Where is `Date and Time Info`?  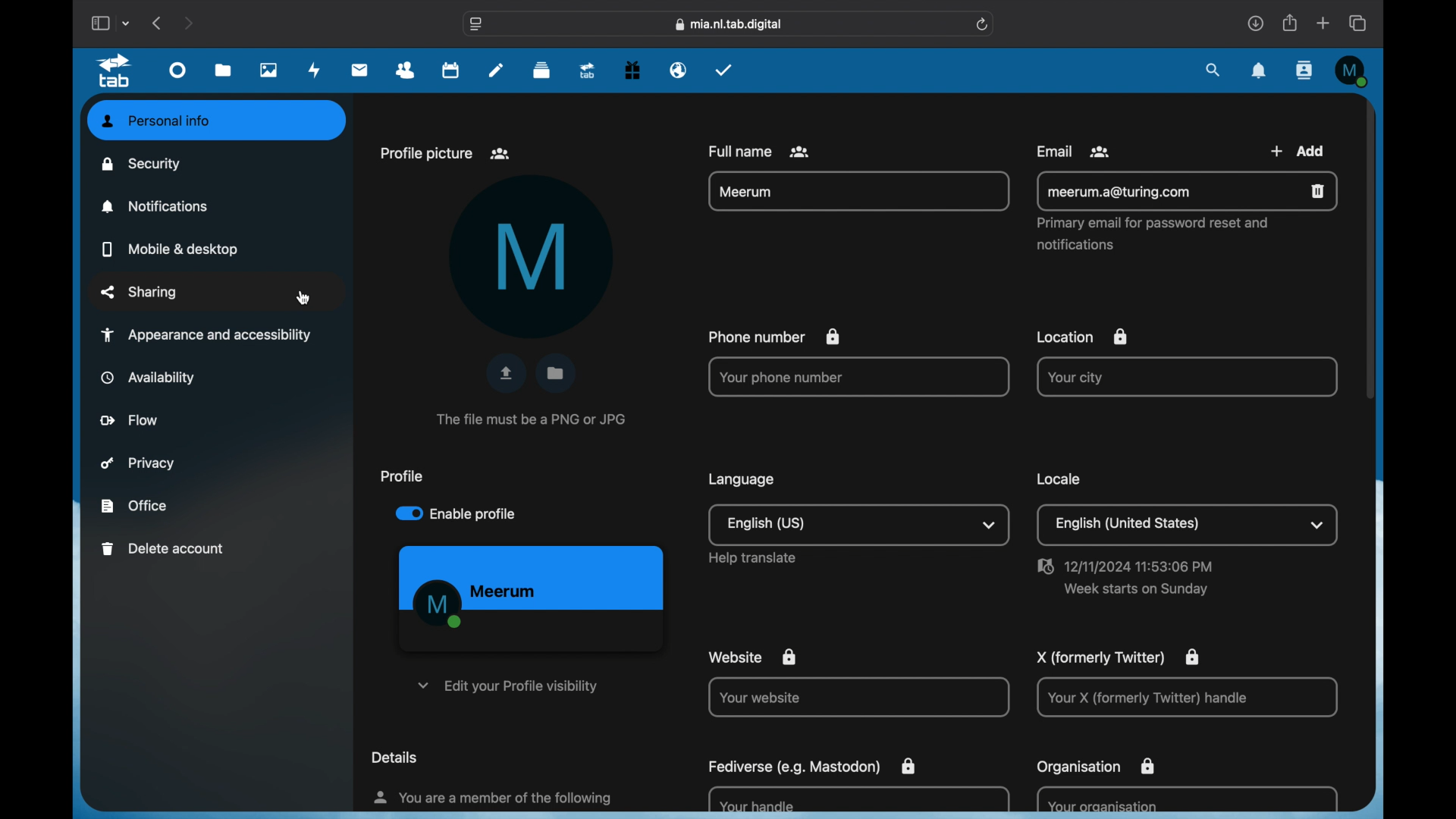 Date and Time Info is located at coordinates (1133, 578).